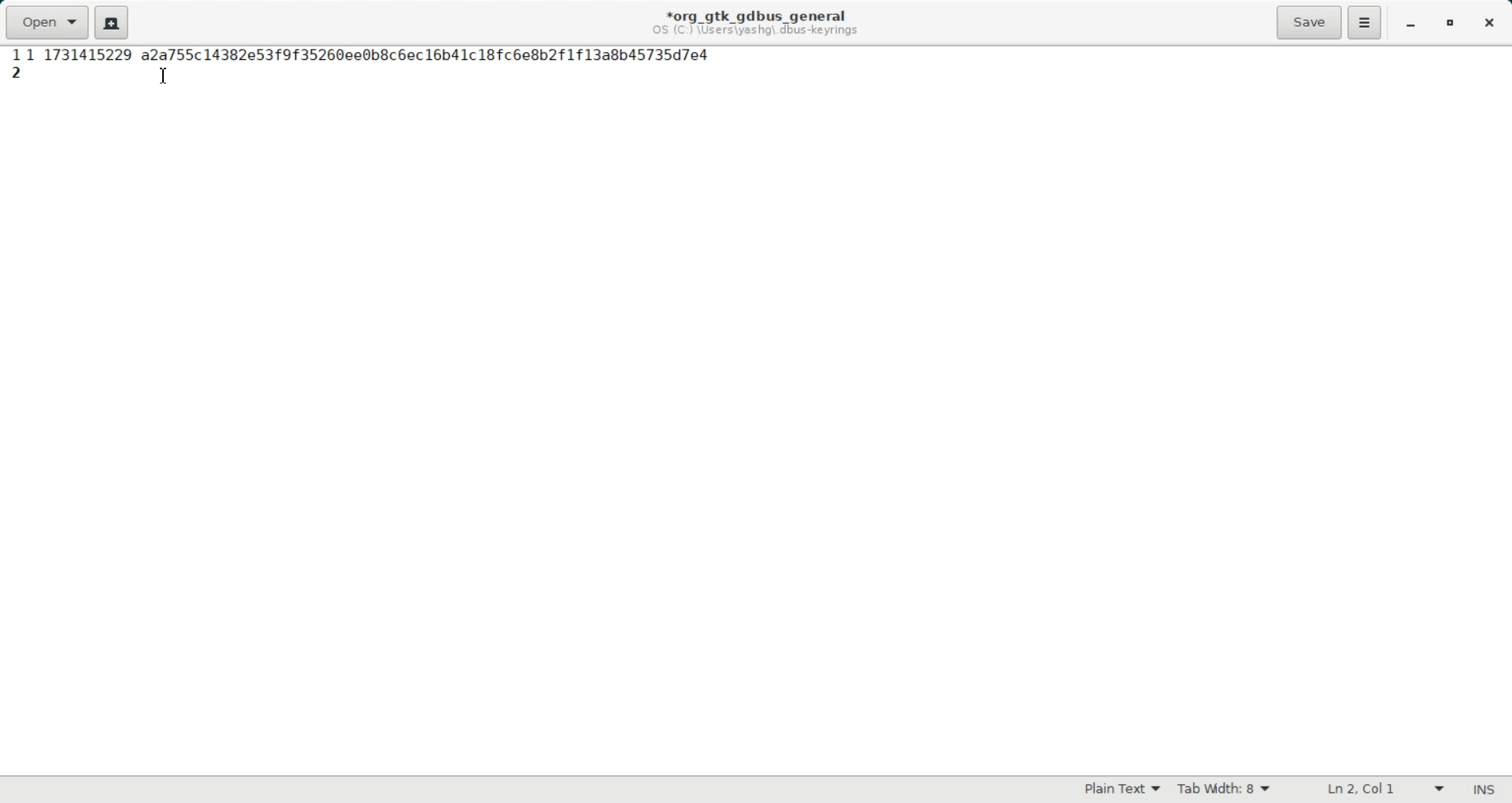 The width and height of the screenshot is (1512, 803). Describe the element at coordinates (112, 22) in the screenshot. I see `Create a new document` at that location.